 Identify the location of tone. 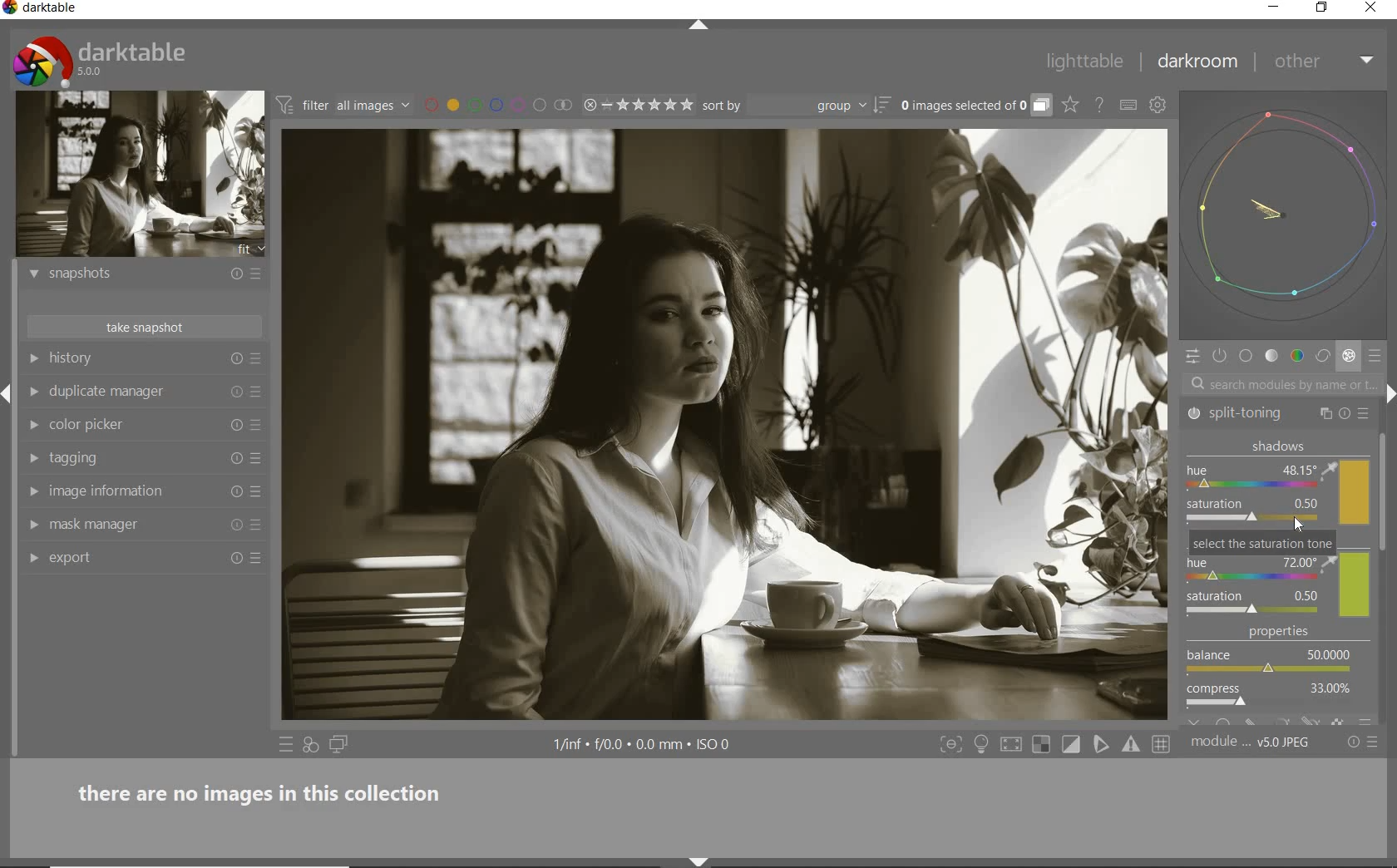
(1272, 358).